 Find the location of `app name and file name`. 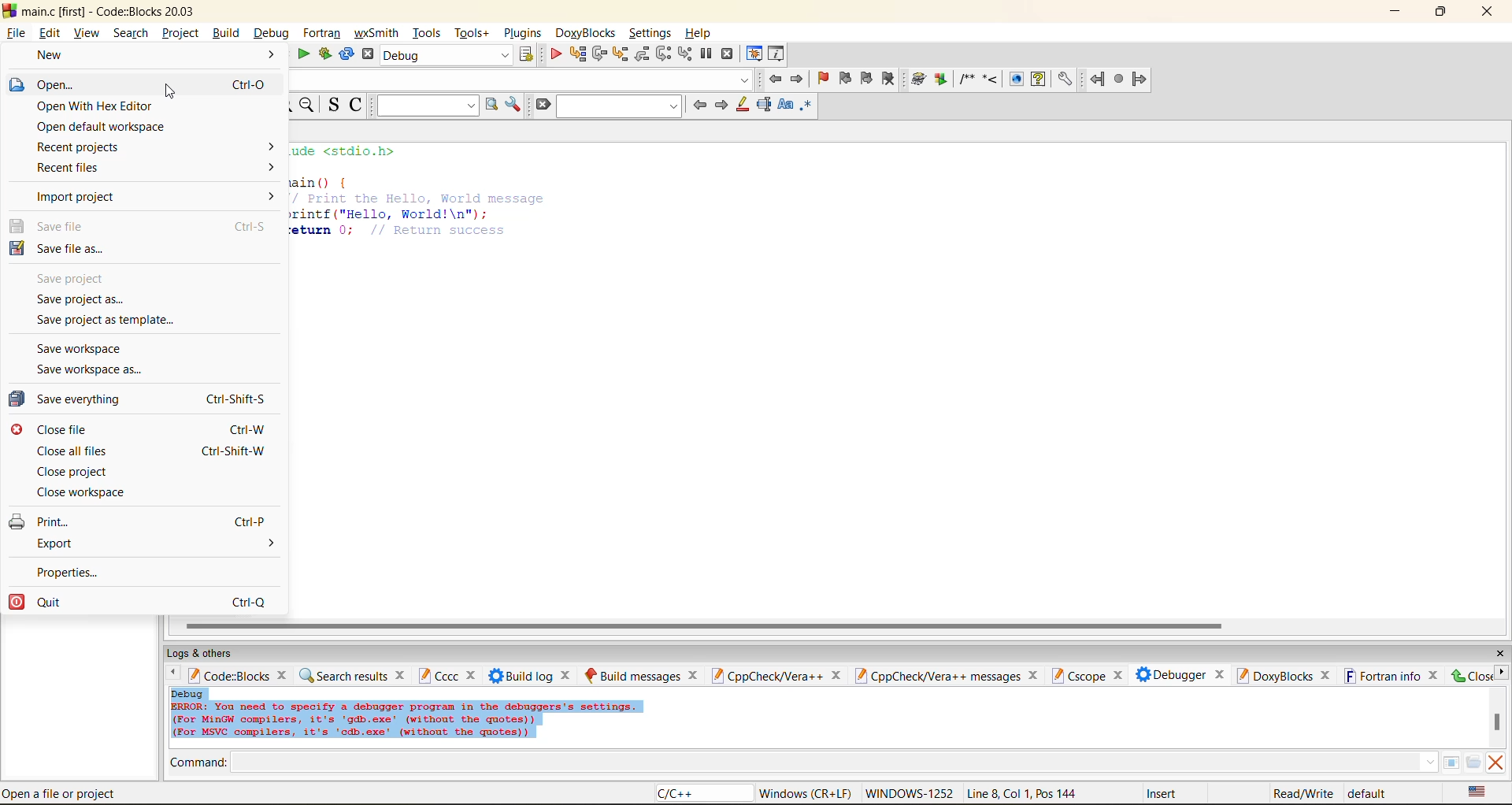

app name and file name is located at coordinates (112, 10).